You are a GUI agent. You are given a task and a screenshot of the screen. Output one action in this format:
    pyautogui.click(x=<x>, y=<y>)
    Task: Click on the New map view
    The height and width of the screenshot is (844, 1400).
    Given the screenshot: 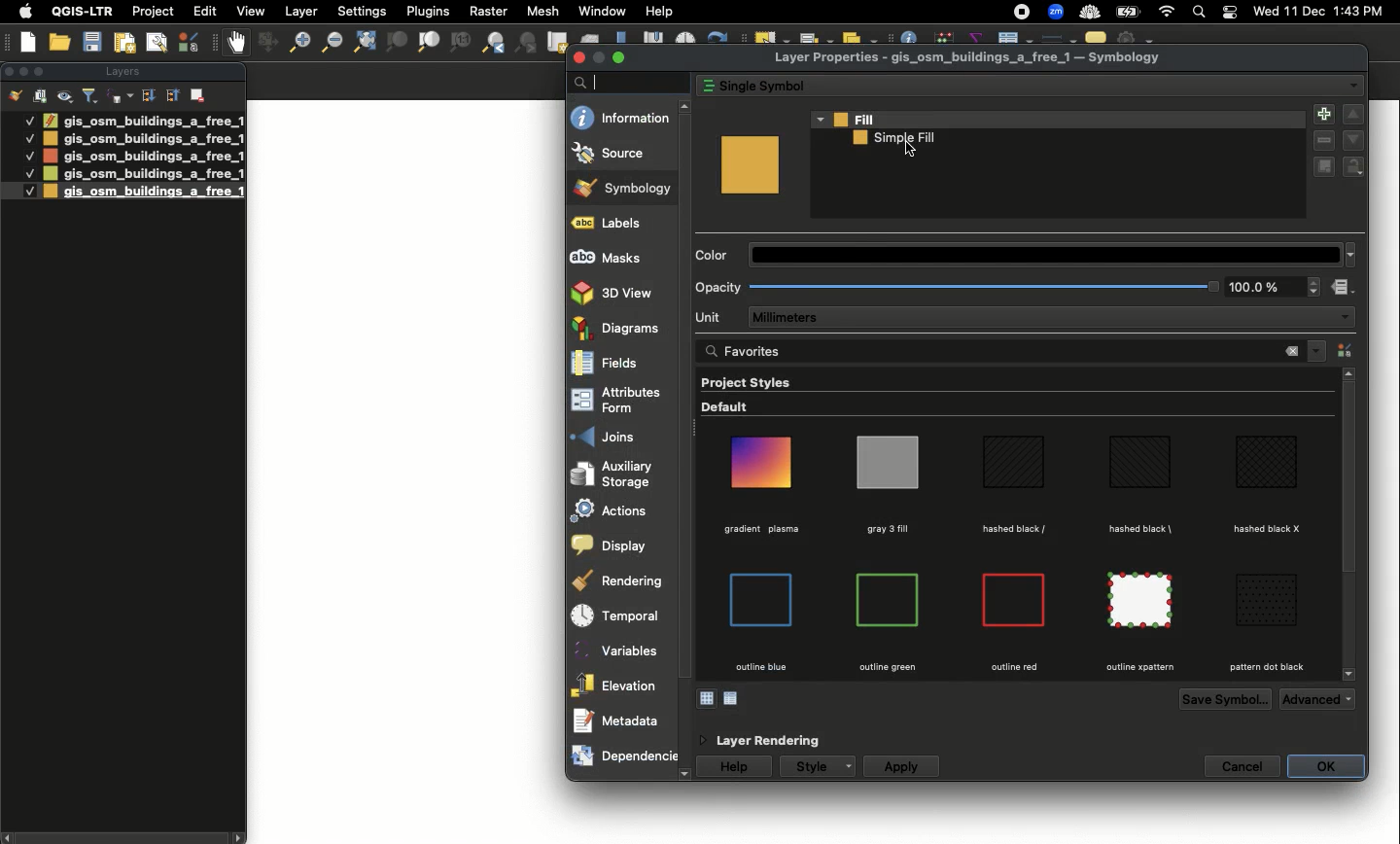 What is the action you would take?
    pyautogui.click(x=556, y=43)
    